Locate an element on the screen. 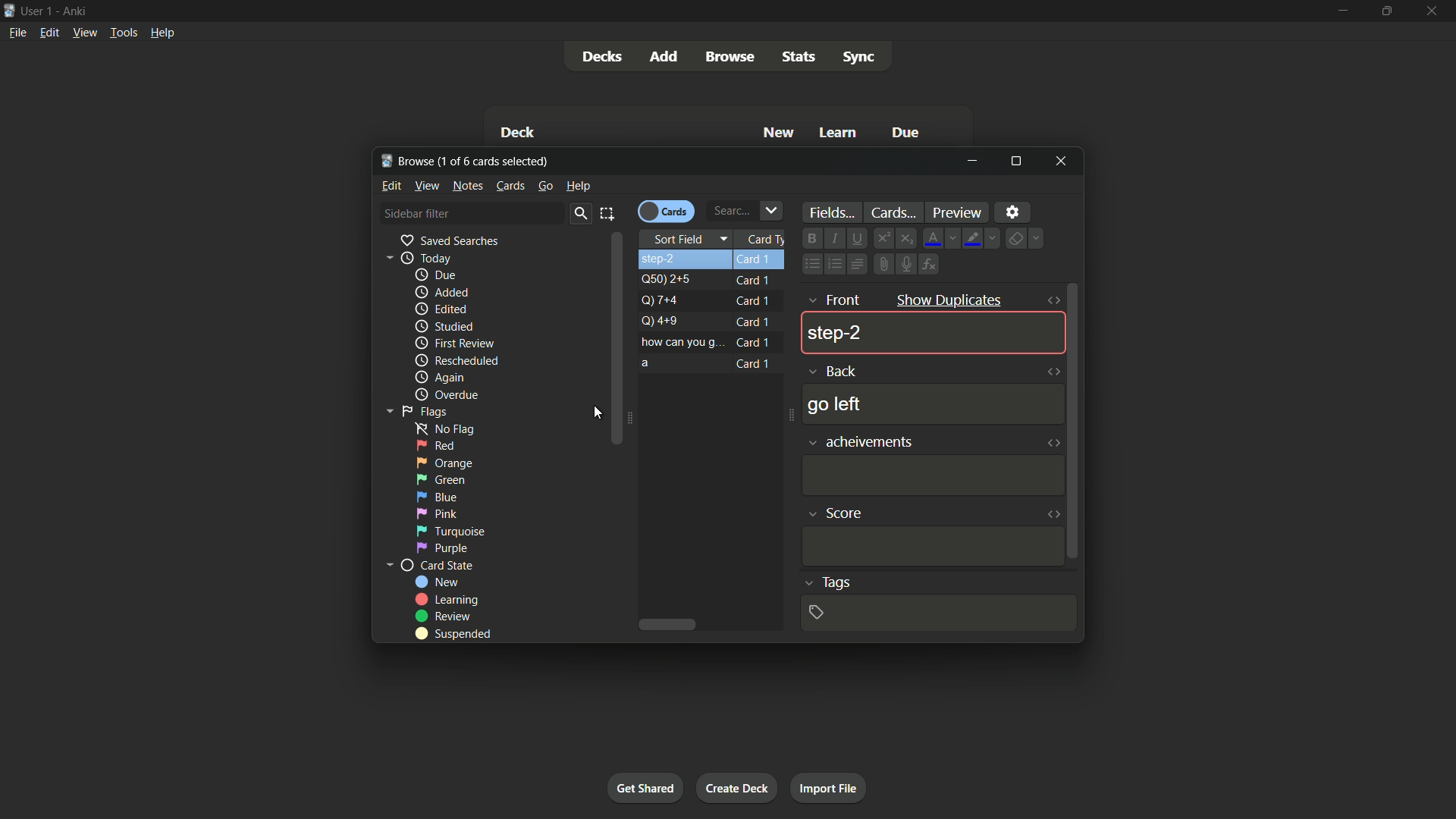 The image size is (1456, 819). Alignment is located at coordinates (858, 263).